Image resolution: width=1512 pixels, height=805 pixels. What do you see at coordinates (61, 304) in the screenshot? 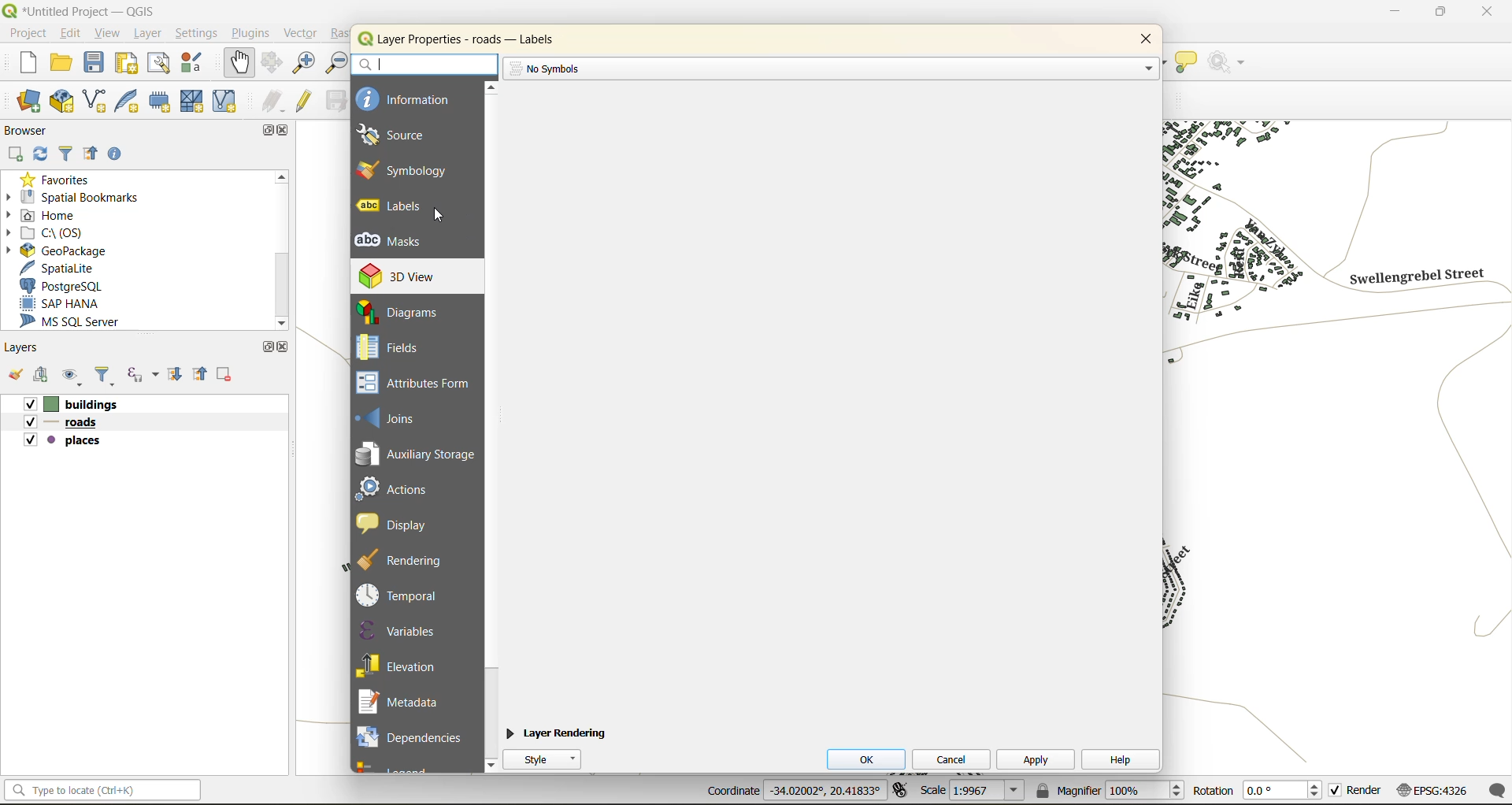
I see `sap hana` at bounding box center [61, 304].